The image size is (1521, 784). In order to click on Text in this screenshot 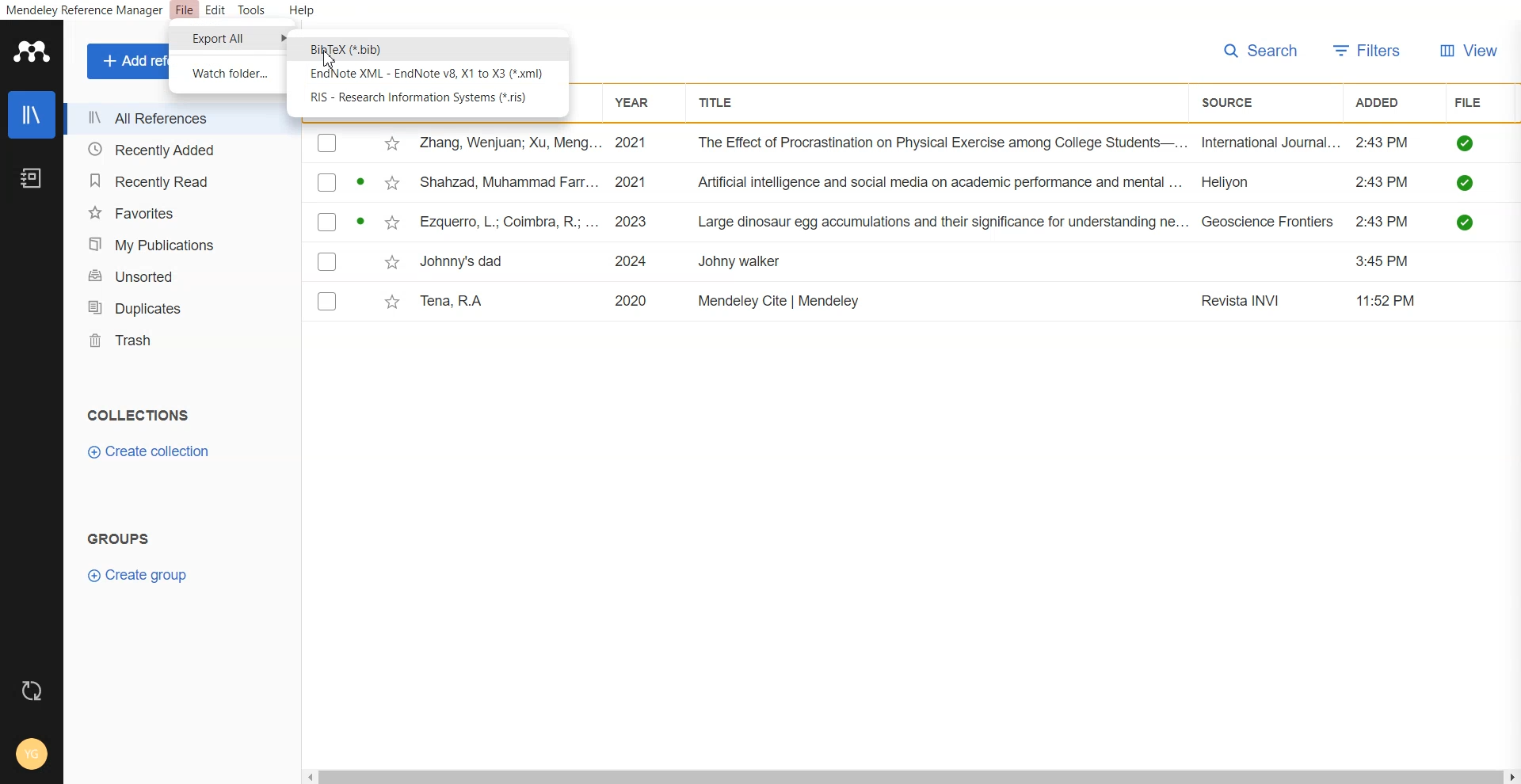, I will do `click(136, 414)`.